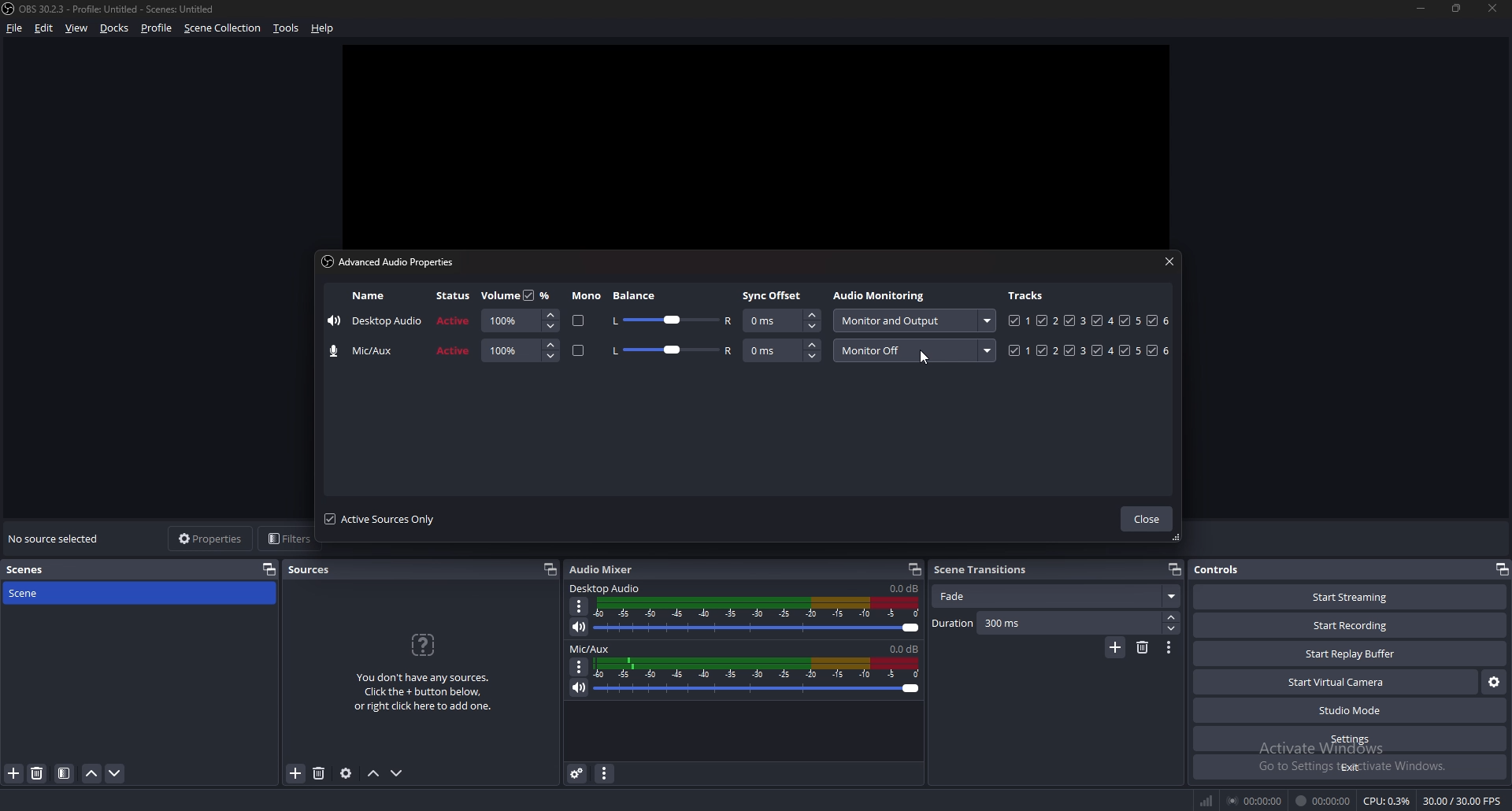 This screenshot has width=1512, height=811. What do you see at coordinates (1091, 320) in the screenshot?
I see `tracks` at bounding box center [1091, 320].